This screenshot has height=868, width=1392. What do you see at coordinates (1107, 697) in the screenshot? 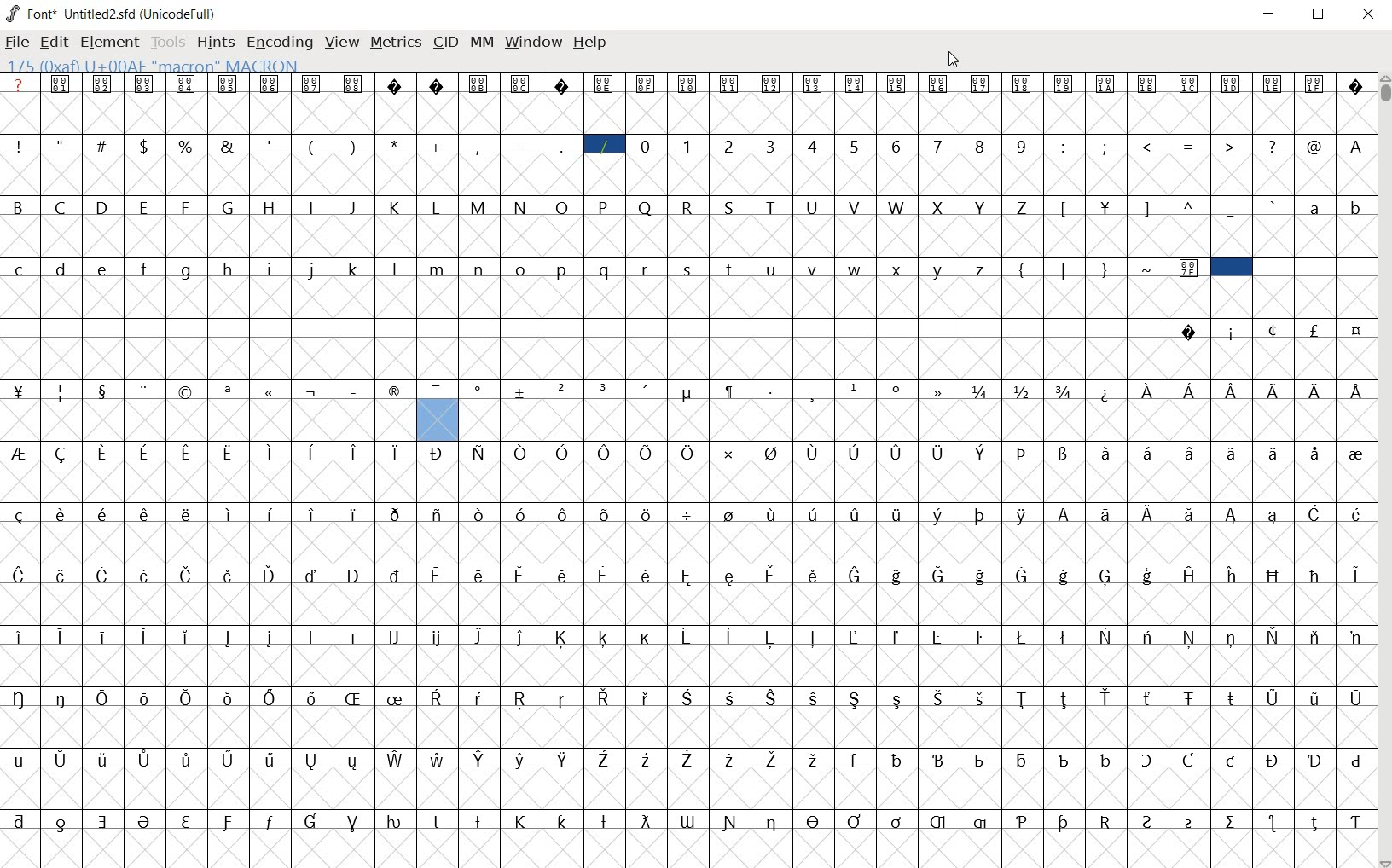
I see `Symbol` at bounding box center [1107, 697].